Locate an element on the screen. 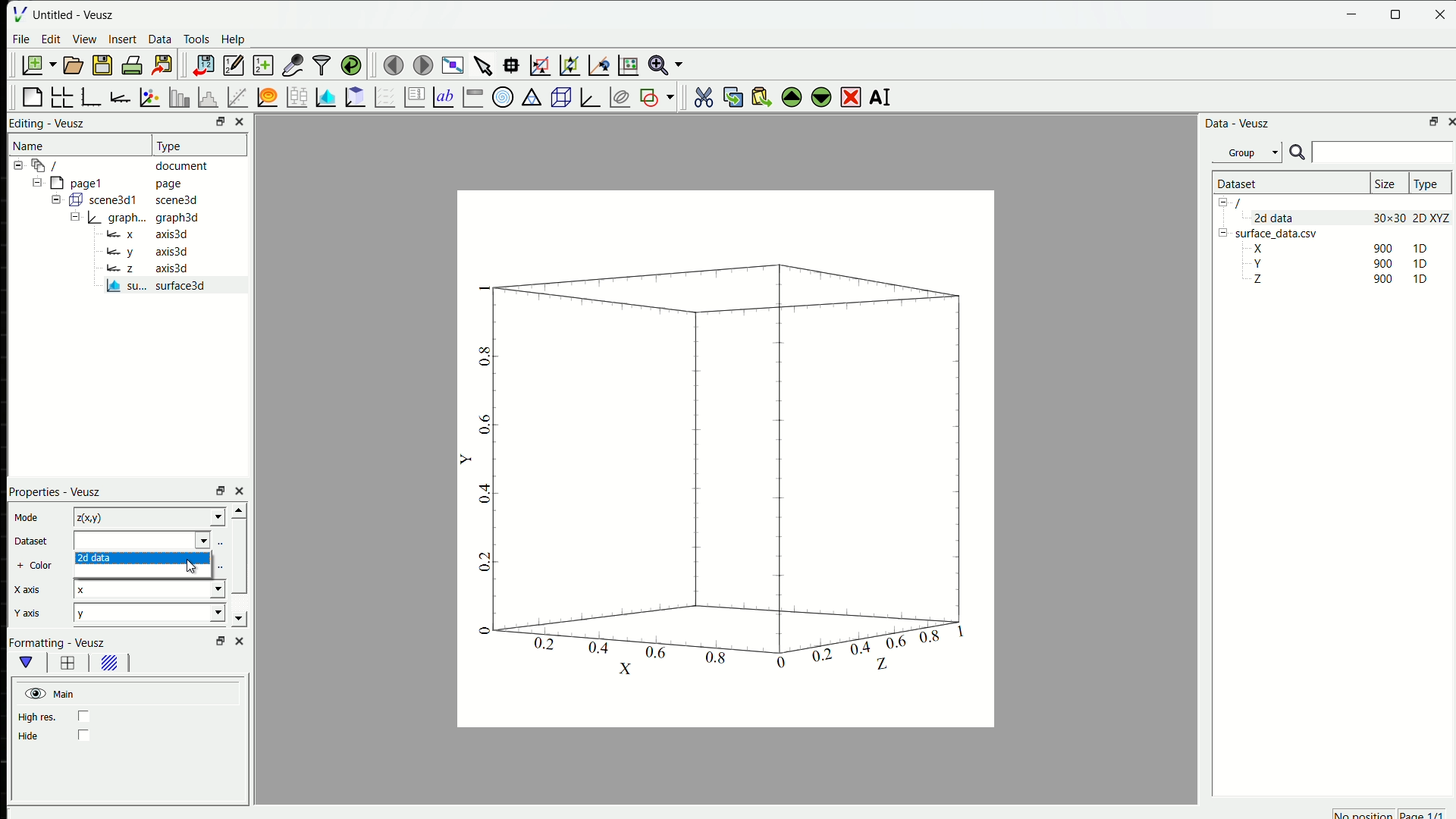  X 900 1D is located at coordinates (1335, 248).